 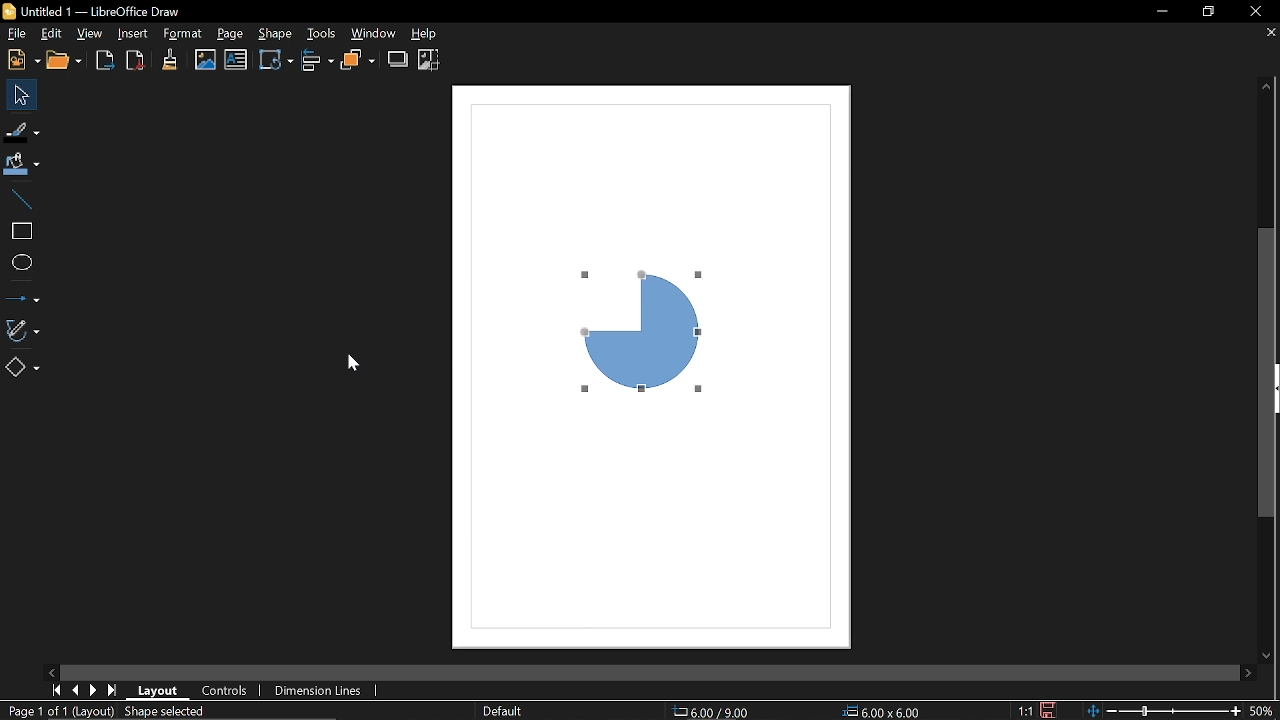 I want to click on Vertical scrollbar , so click(x=1268, y=373).